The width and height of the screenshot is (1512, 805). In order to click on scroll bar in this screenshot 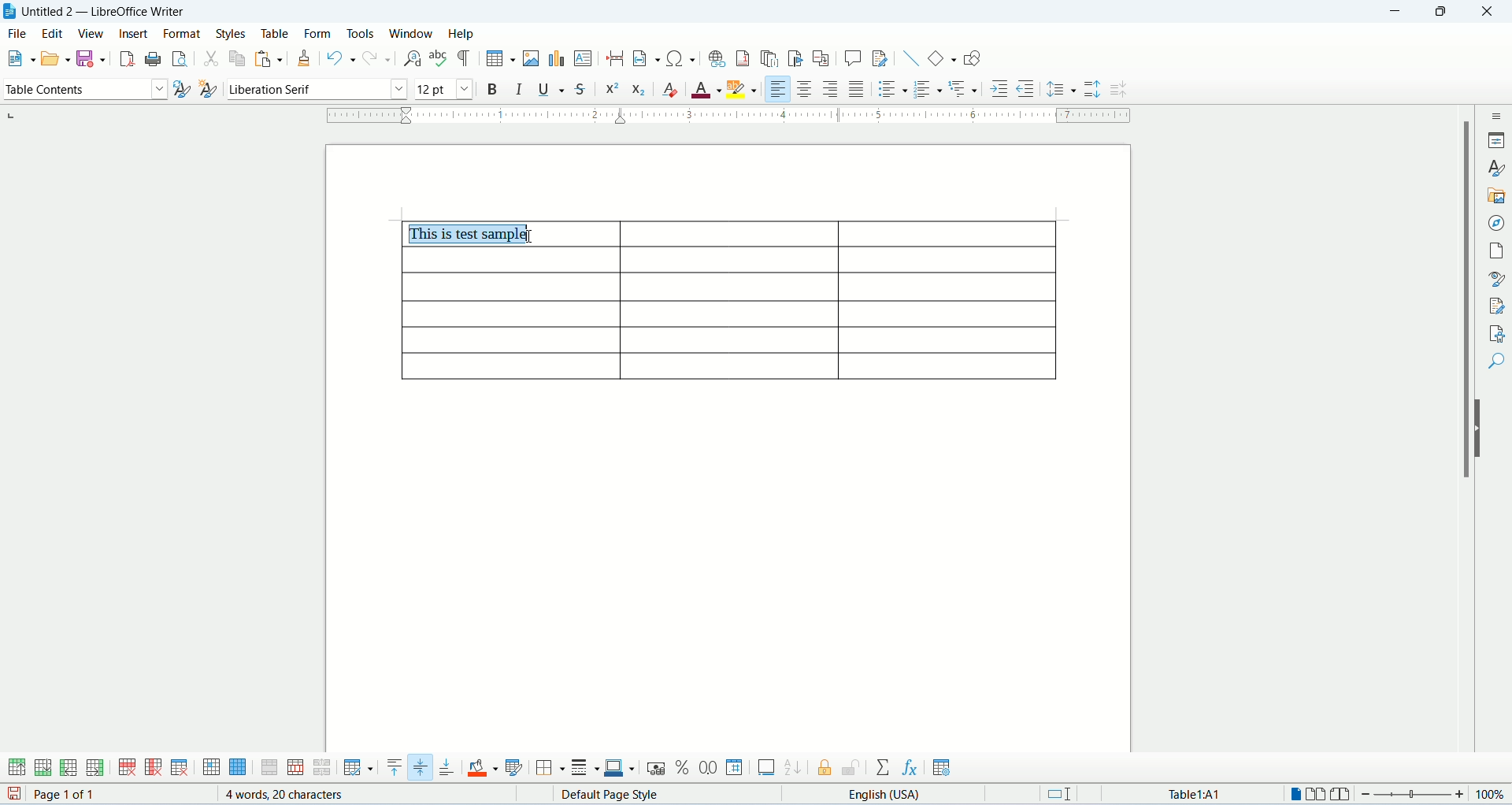, I will do `click(1462, 442)`.